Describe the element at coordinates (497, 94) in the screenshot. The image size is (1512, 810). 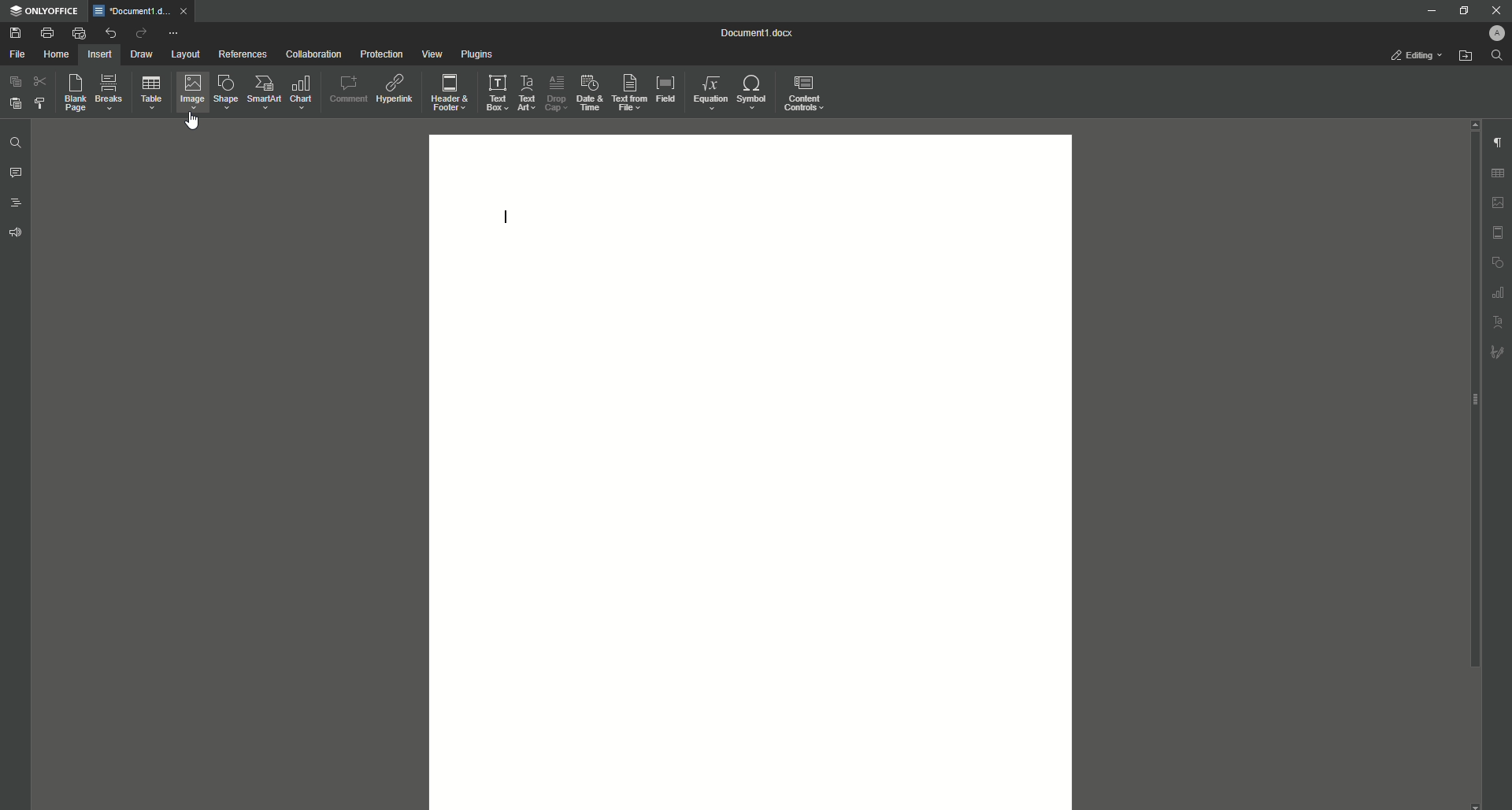
I see `Text Box` at that location.